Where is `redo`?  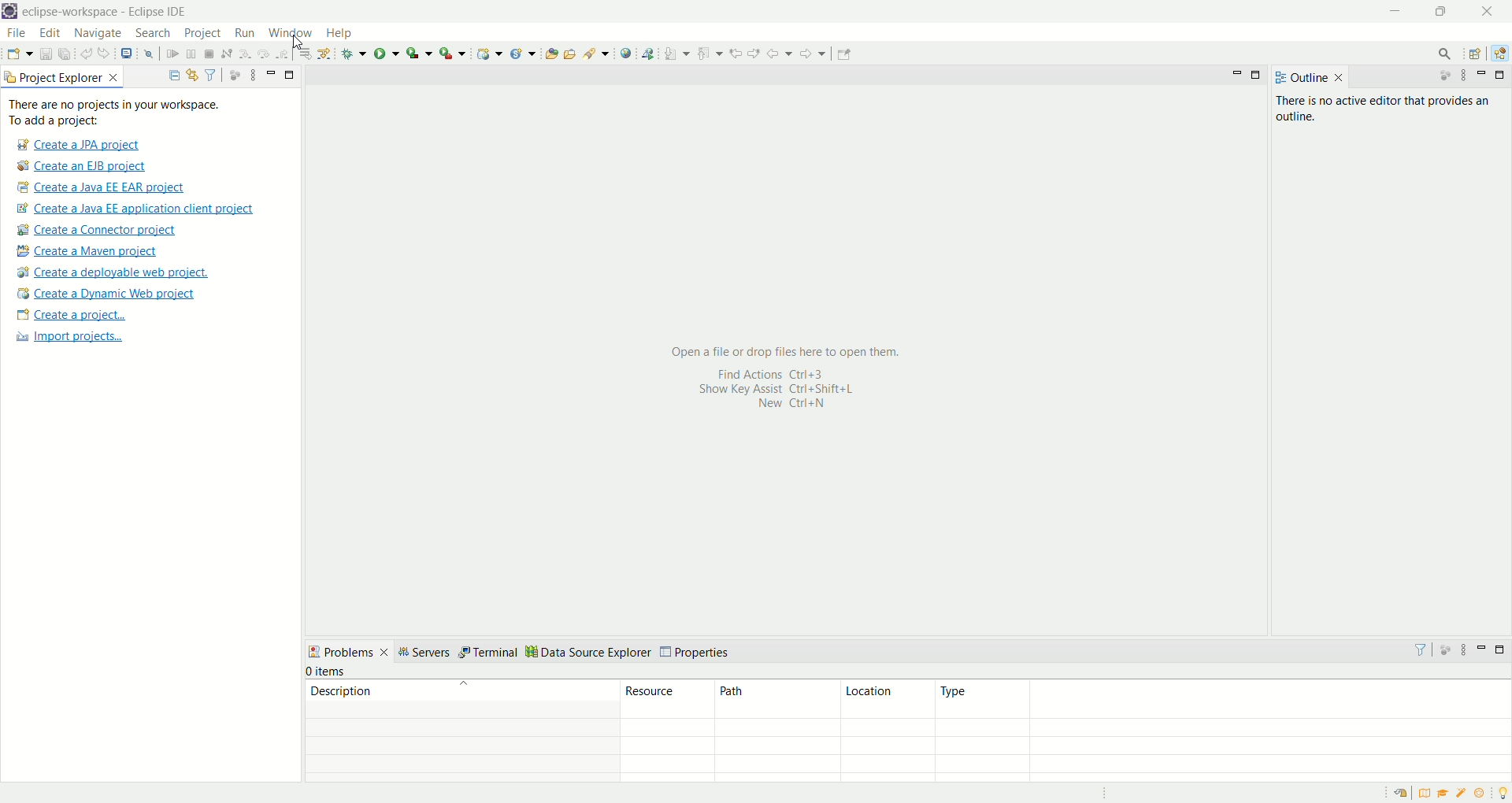 redo is located at coordinates (107, 54).